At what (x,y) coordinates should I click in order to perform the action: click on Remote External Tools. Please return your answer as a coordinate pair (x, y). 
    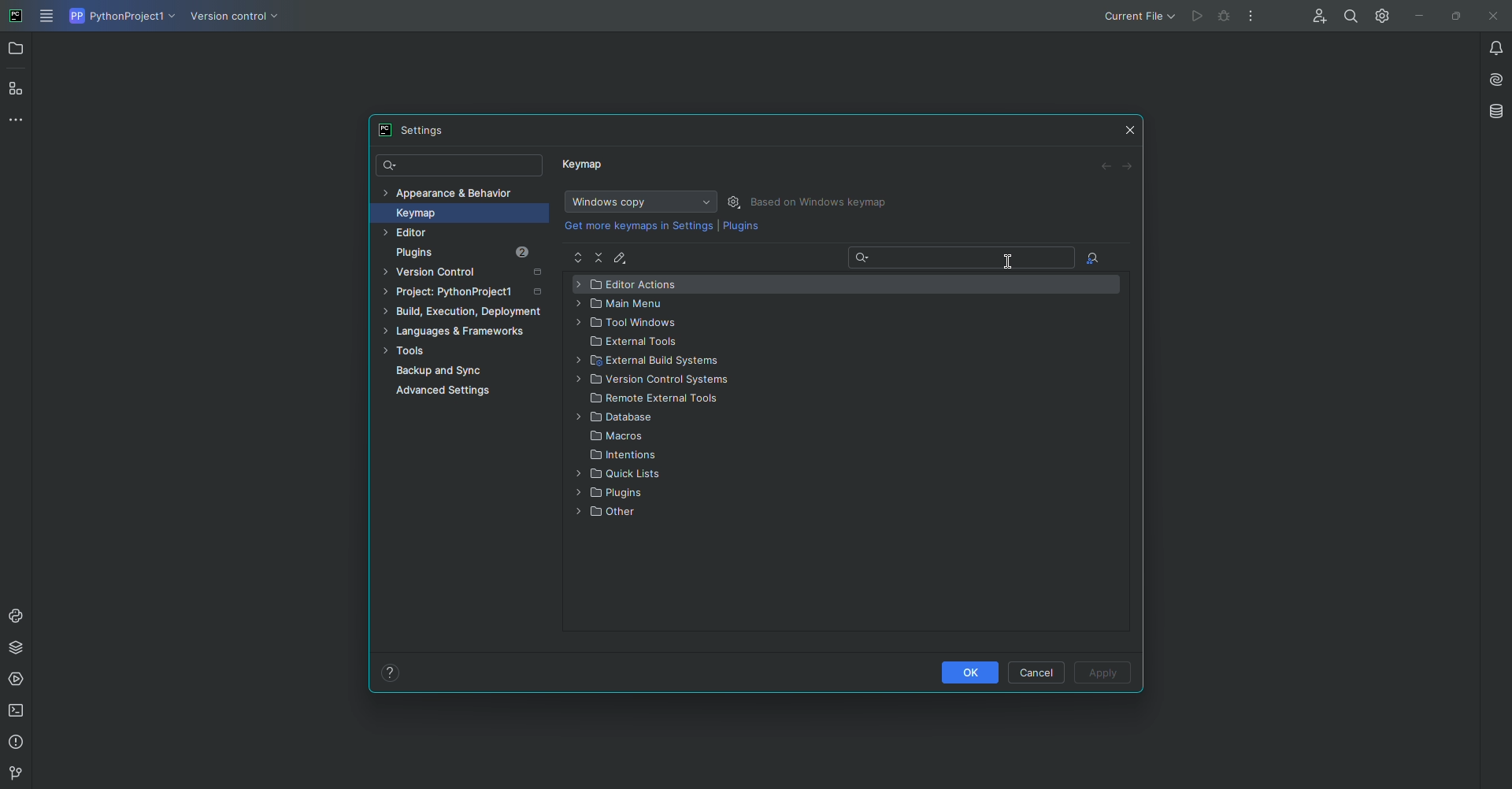
    Looking at the image, I should click on (657, 400).